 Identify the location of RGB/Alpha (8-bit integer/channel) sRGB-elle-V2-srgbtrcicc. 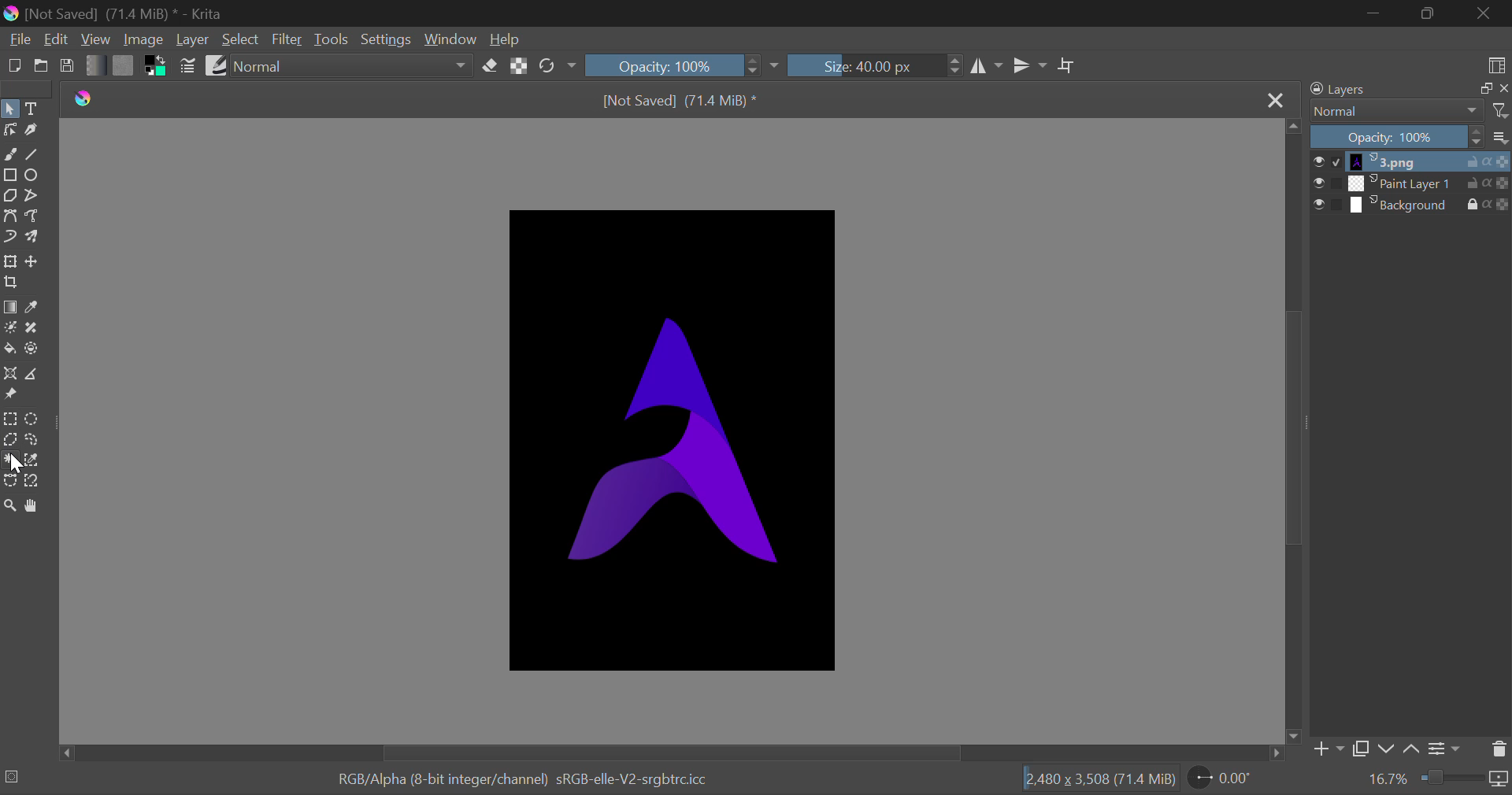
(524, 780).